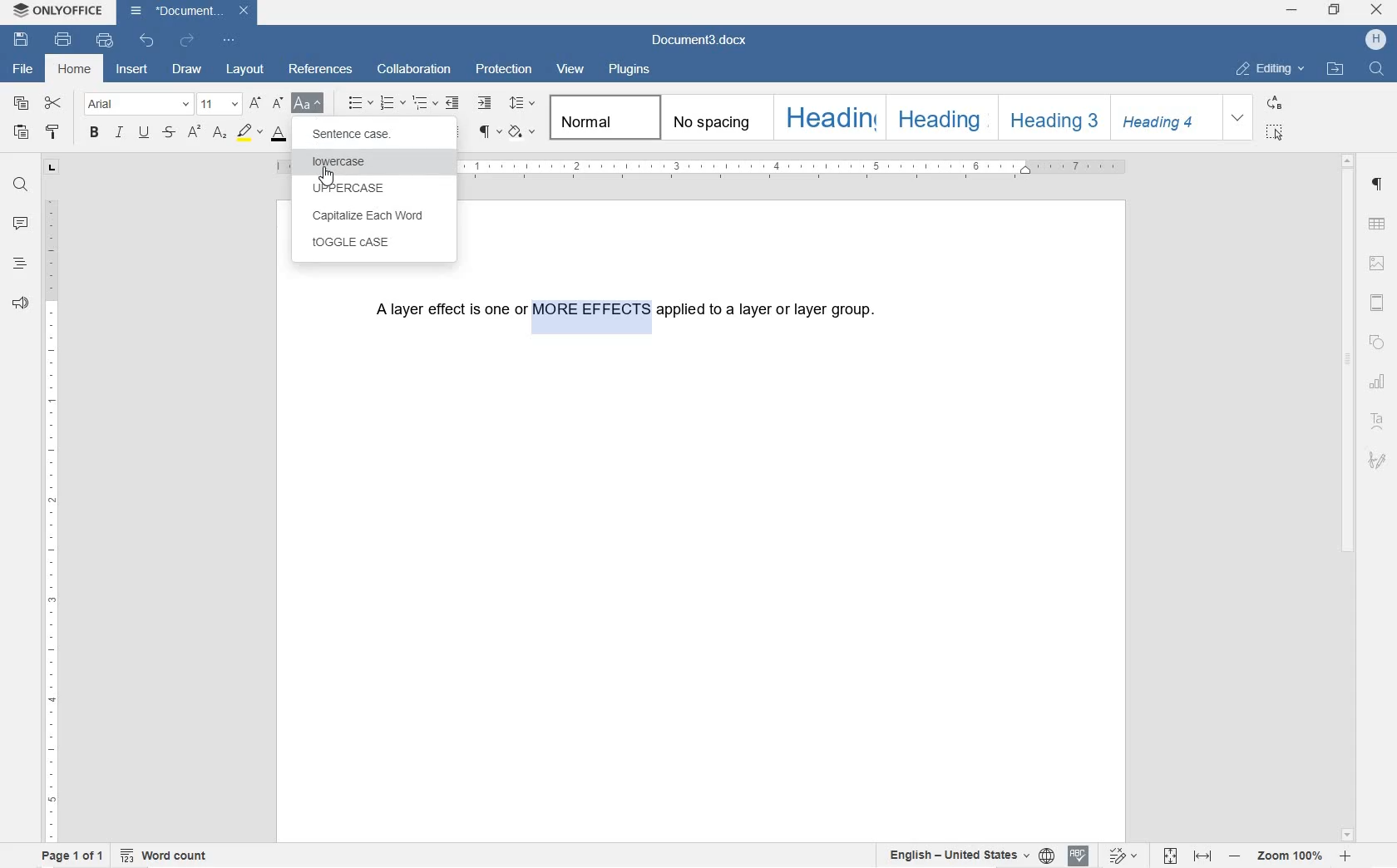  Describe the element at coordinates (144, 133) in the screenshot. I see `UNDERLINE` at that location.